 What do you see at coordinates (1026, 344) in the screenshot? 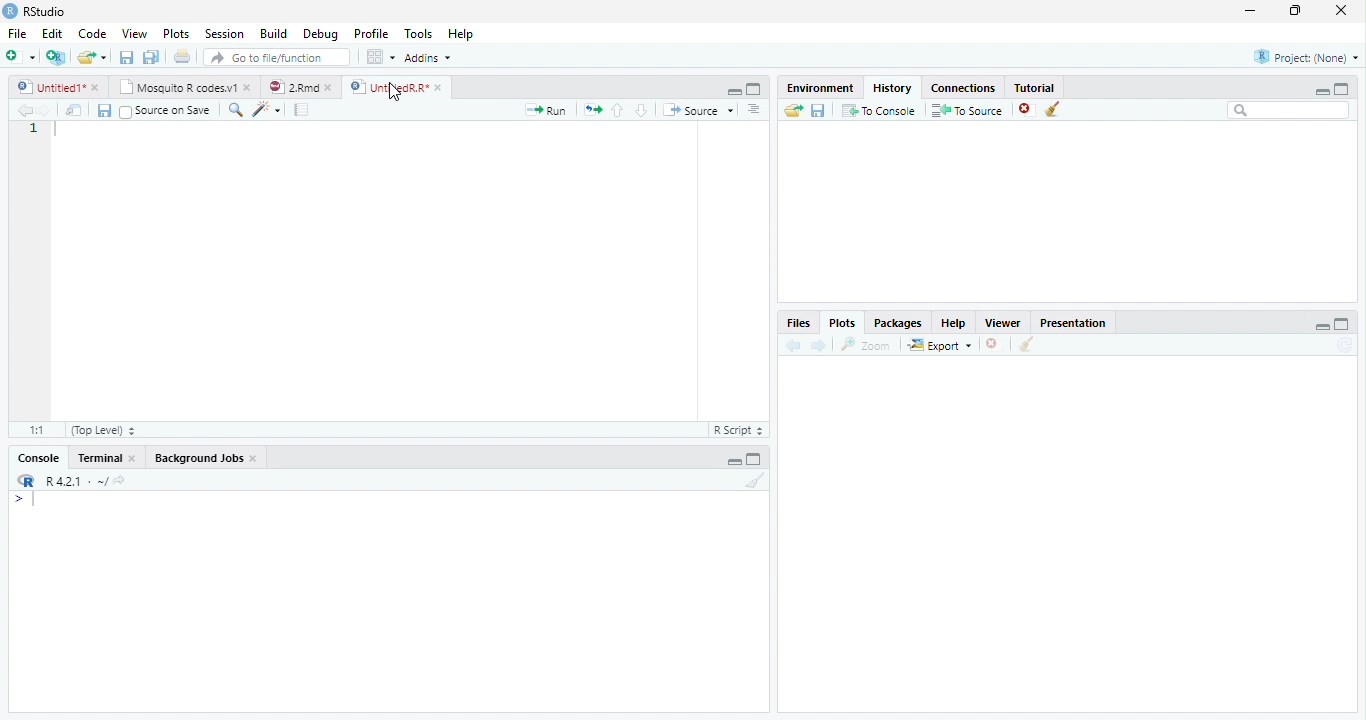
I see `Clear all plots` at bounding box center [1026, 344].